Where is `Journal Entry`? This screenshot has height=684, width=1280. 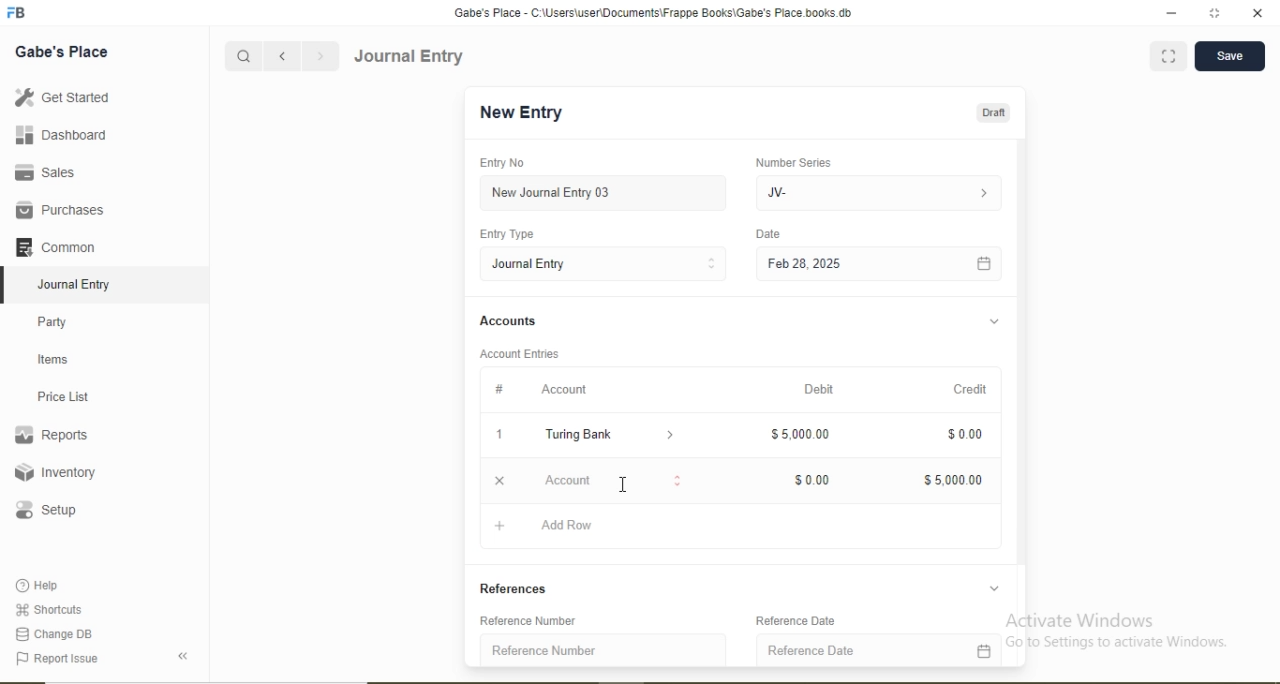 Journal Entry is located at coordinates (410, 56).